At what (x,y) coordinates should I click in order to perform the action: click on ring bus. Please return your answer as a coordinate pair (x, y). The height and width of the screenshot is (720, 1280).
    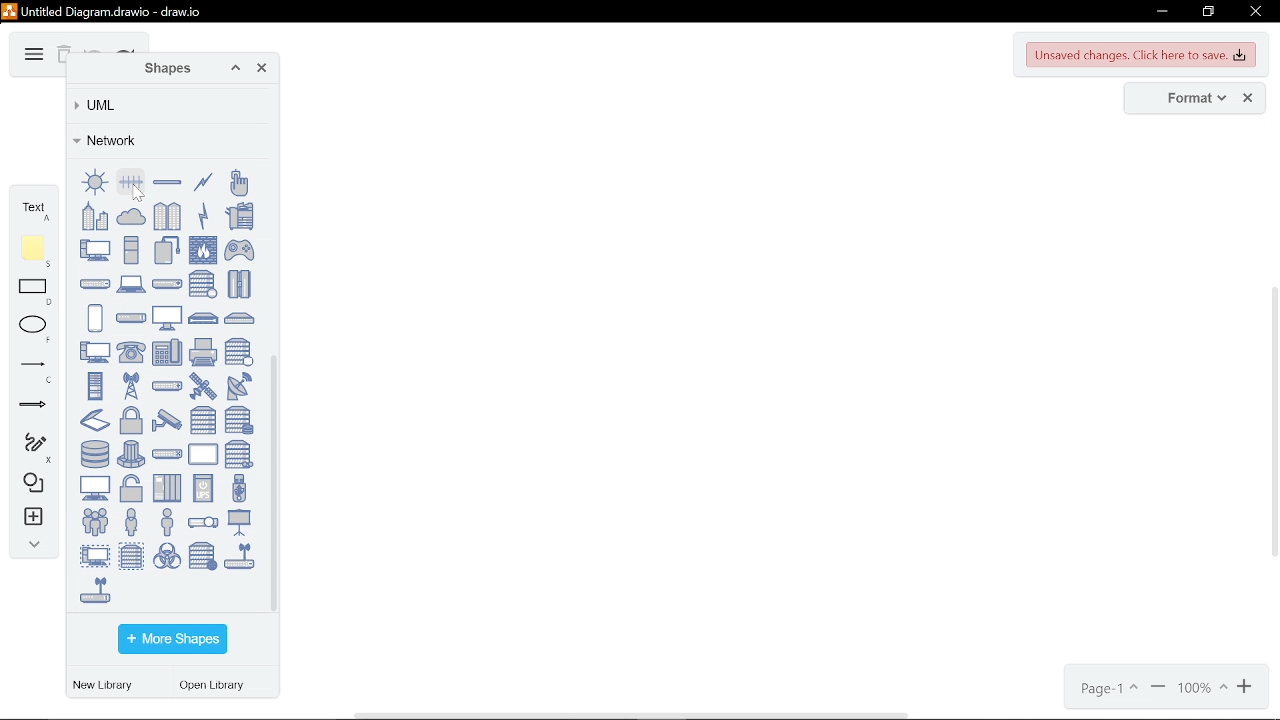
    Looking at the image, I should click on (95, 182).